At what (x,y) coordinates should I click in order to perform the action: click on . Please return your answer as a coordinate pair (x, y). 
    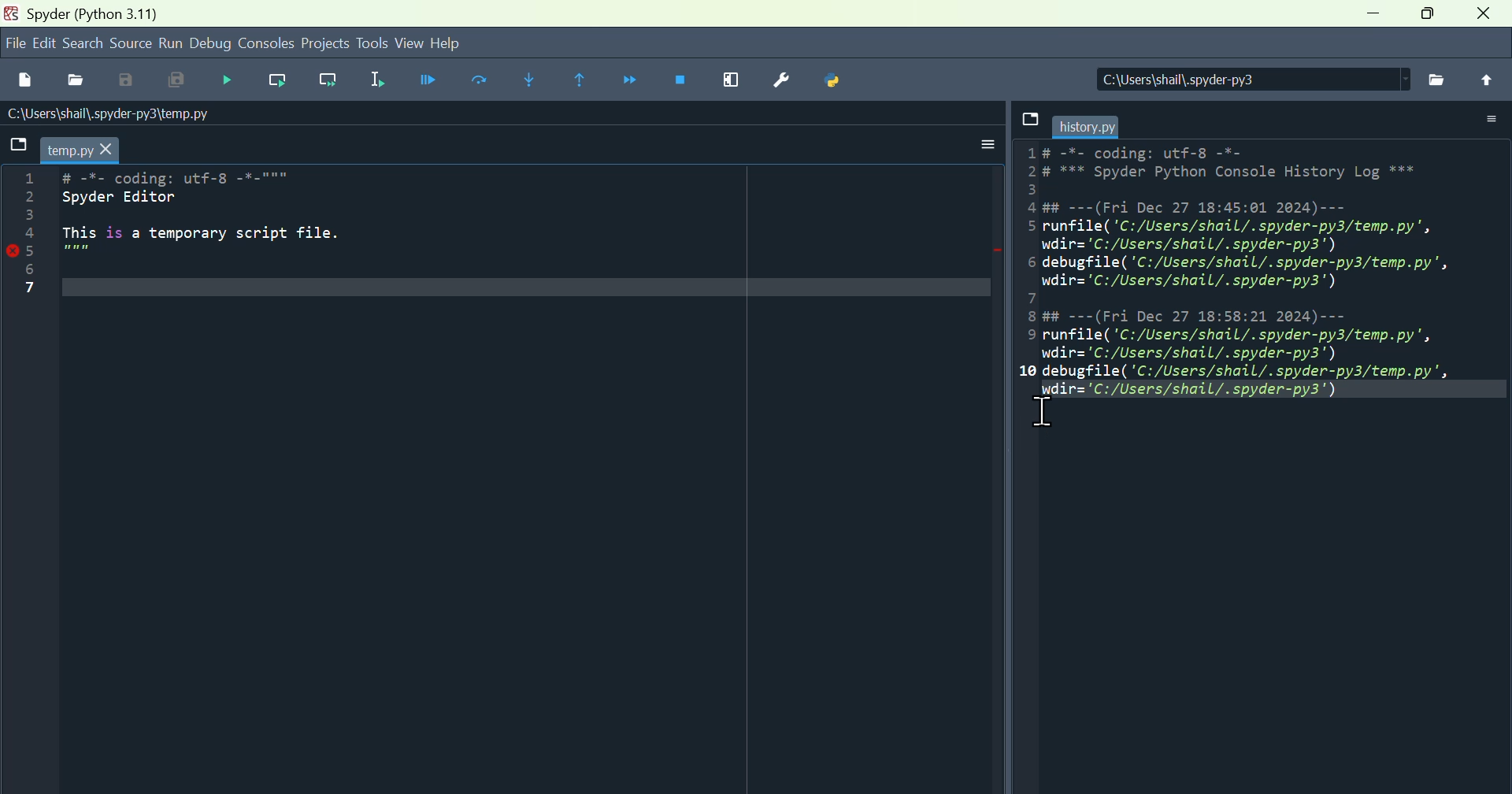
    Looking at the image, I should click on (175, 43).